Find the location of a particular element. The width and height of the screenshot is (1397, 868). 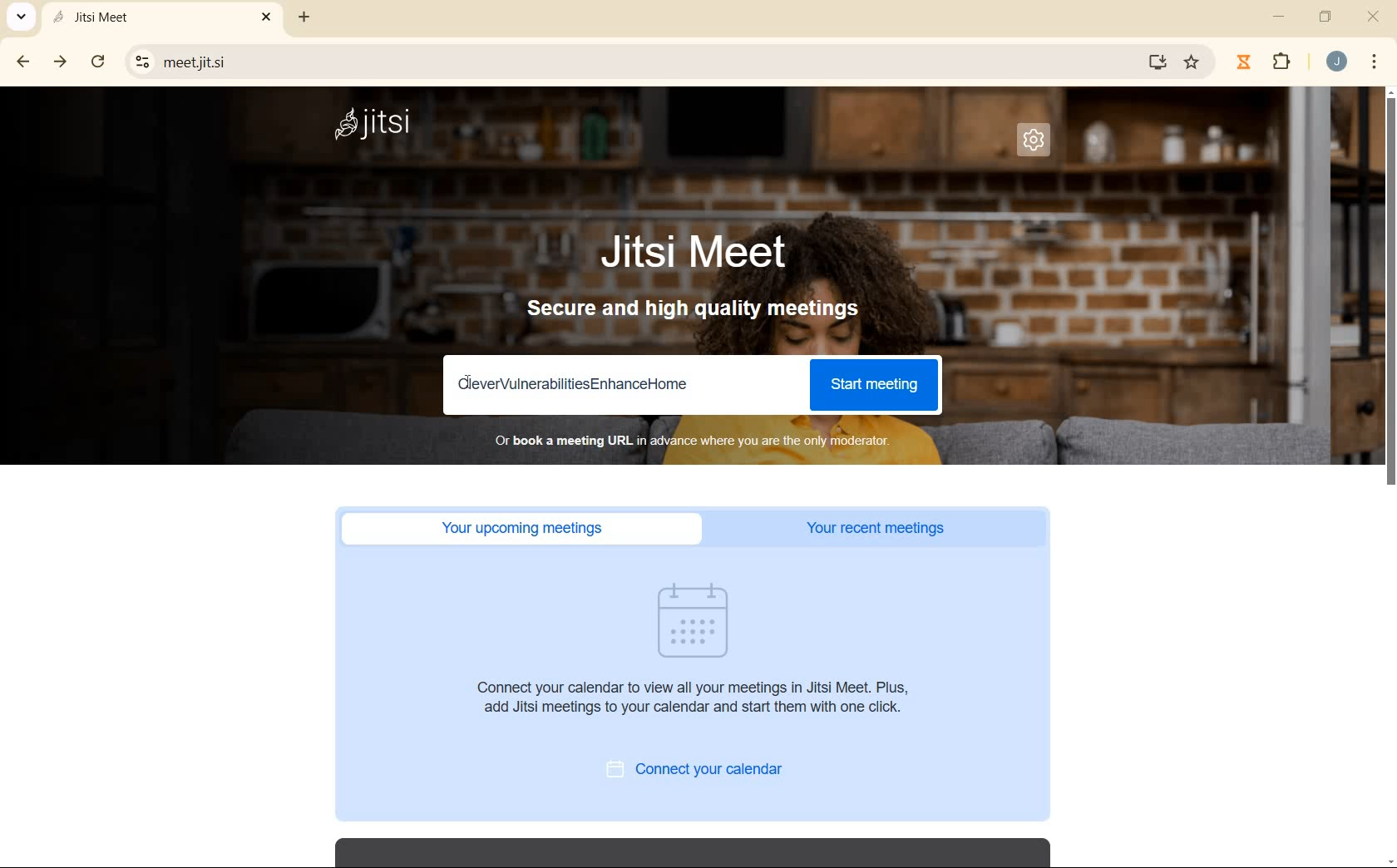

start meeting is located at coordinates (875, 384).